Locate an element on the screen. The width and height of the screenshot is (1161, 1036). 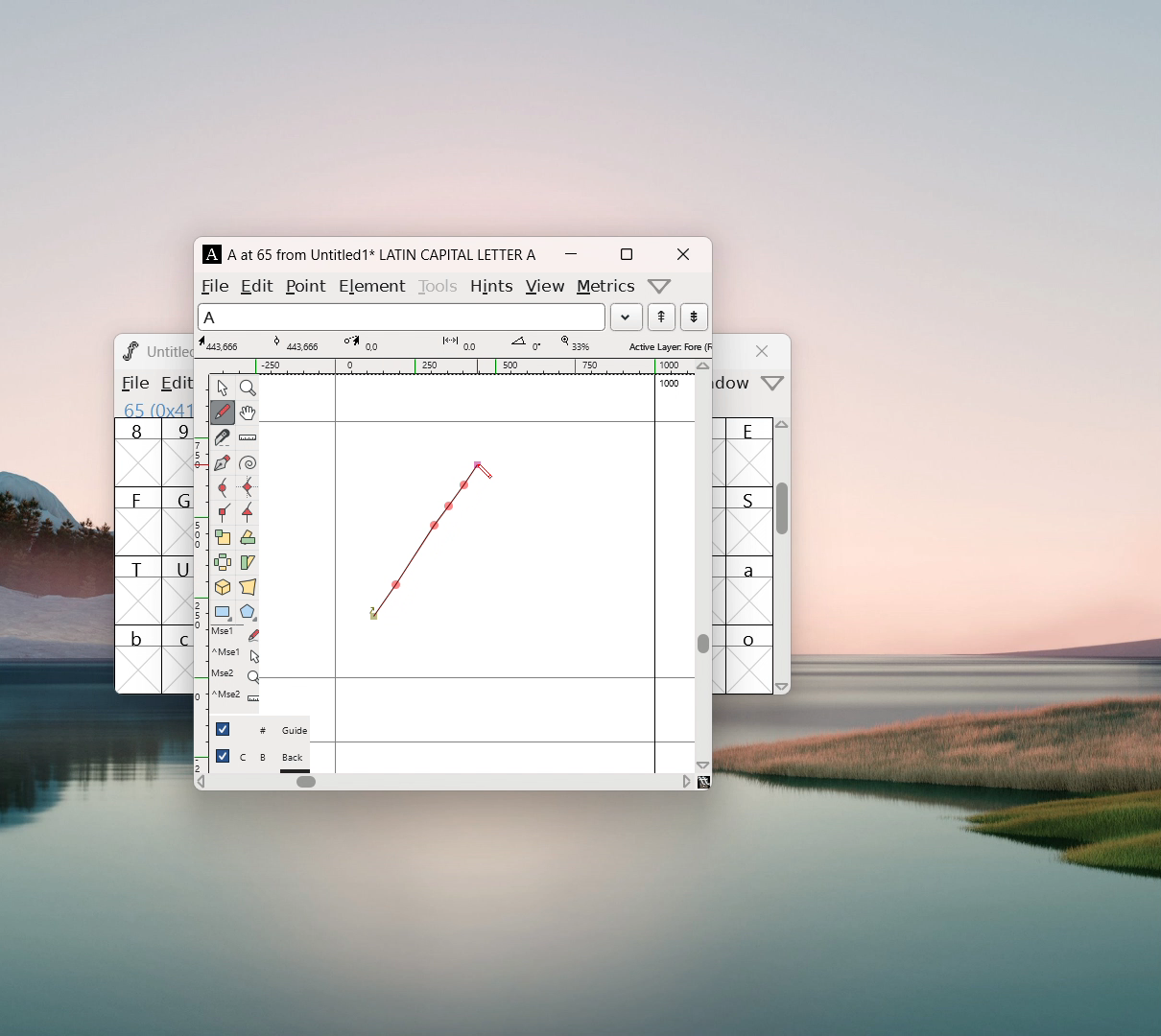
baseline is located at coordinates (478, 678).